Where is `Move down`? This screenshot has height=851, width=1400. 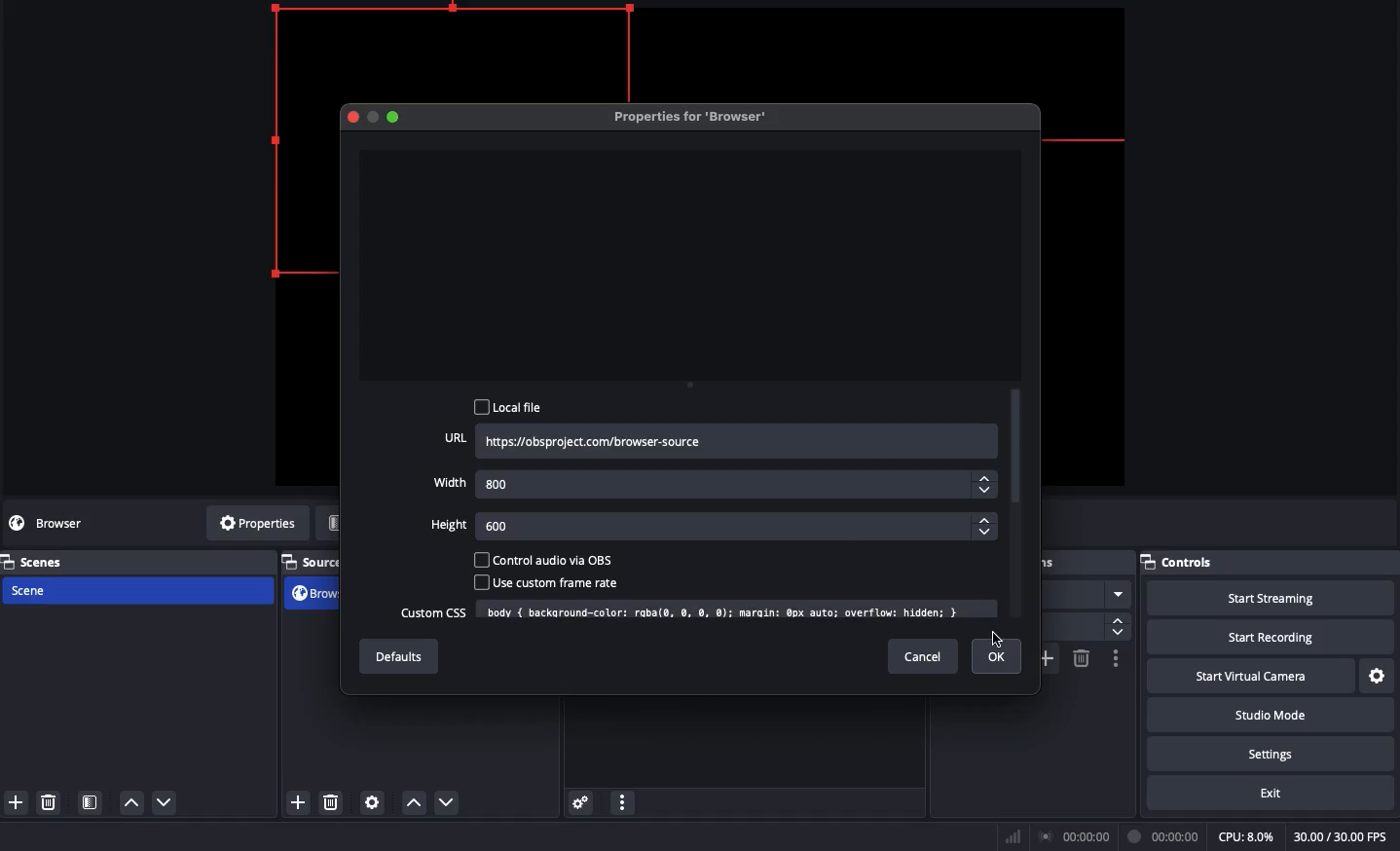 Move down is located at coordinates (447, 802).